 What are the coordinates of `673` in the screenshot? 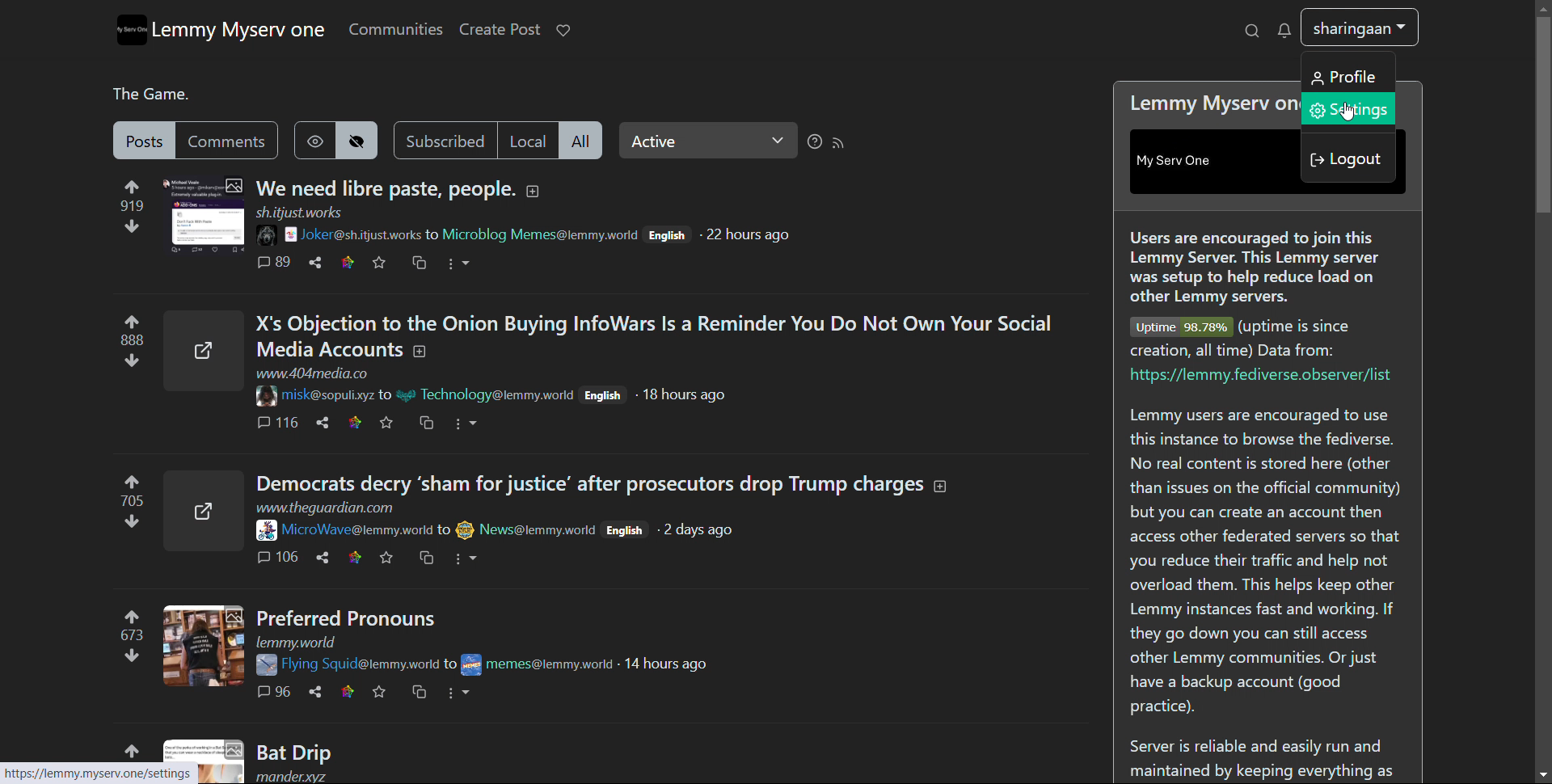 It's located at (127, 634).